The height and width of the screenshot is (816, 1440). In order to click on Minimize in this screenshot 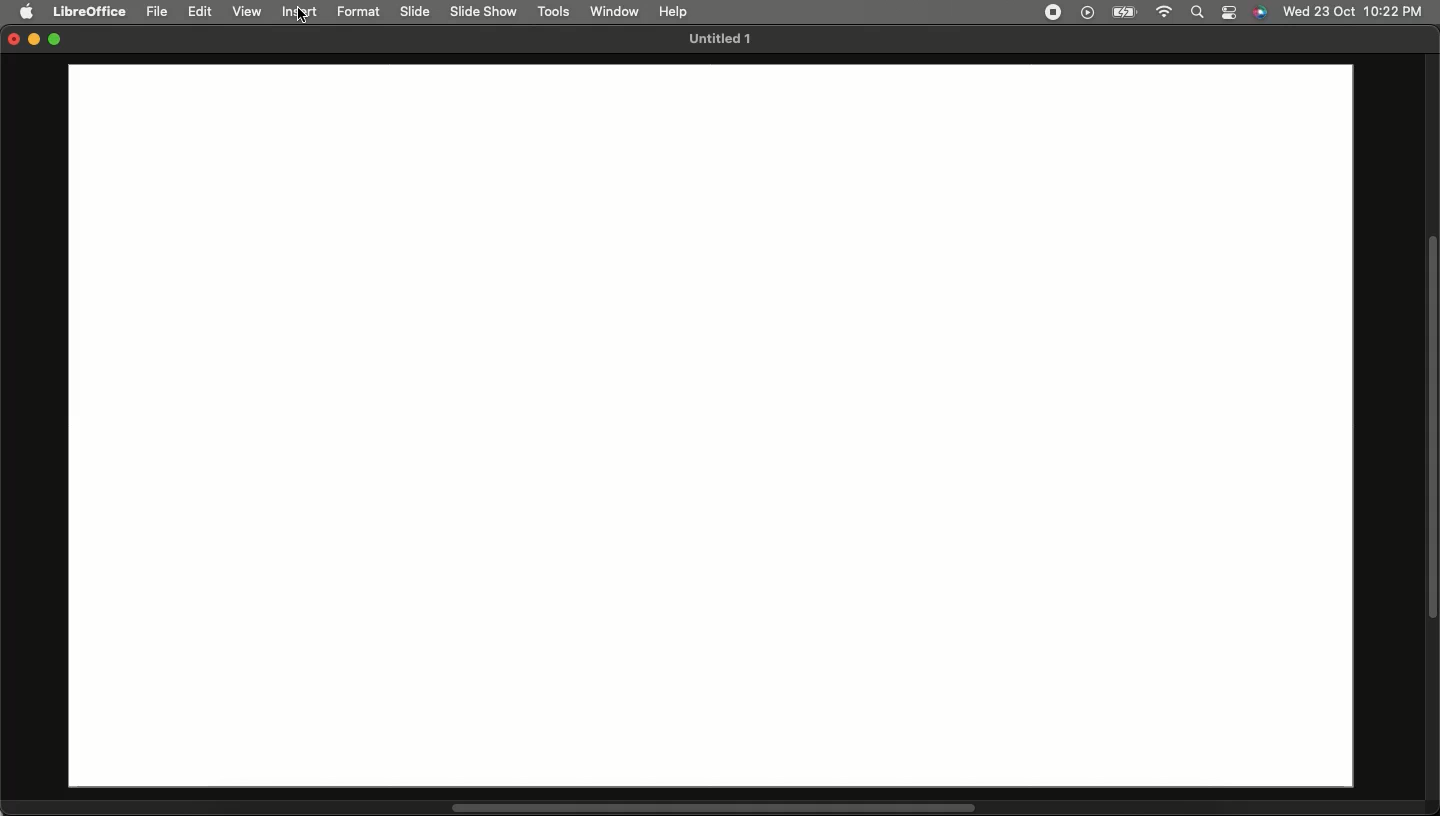, I will do `click(35, 41)`.